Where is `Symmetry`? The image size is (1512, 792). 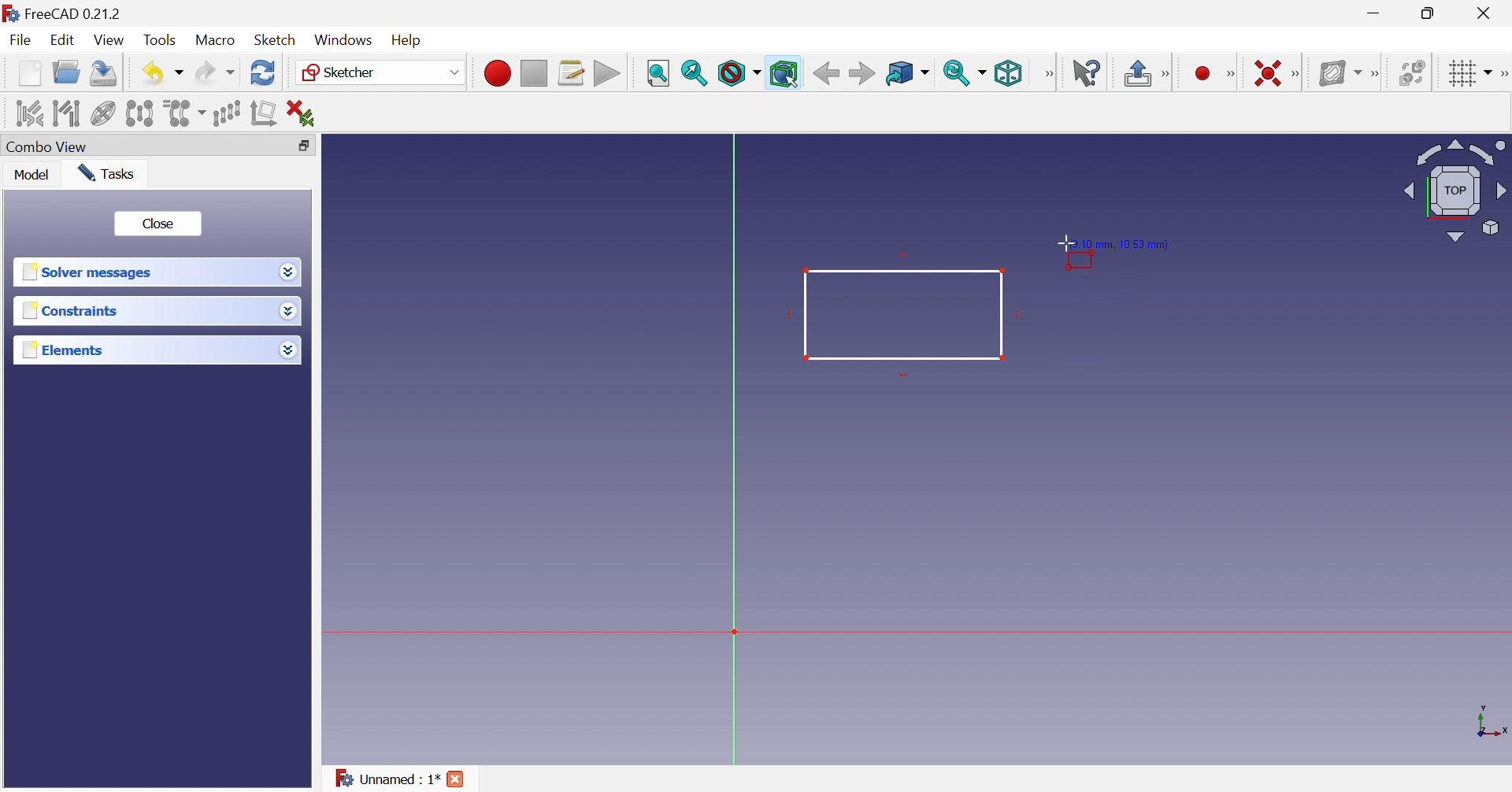 Symmetry is located at coordinates (140, 114).